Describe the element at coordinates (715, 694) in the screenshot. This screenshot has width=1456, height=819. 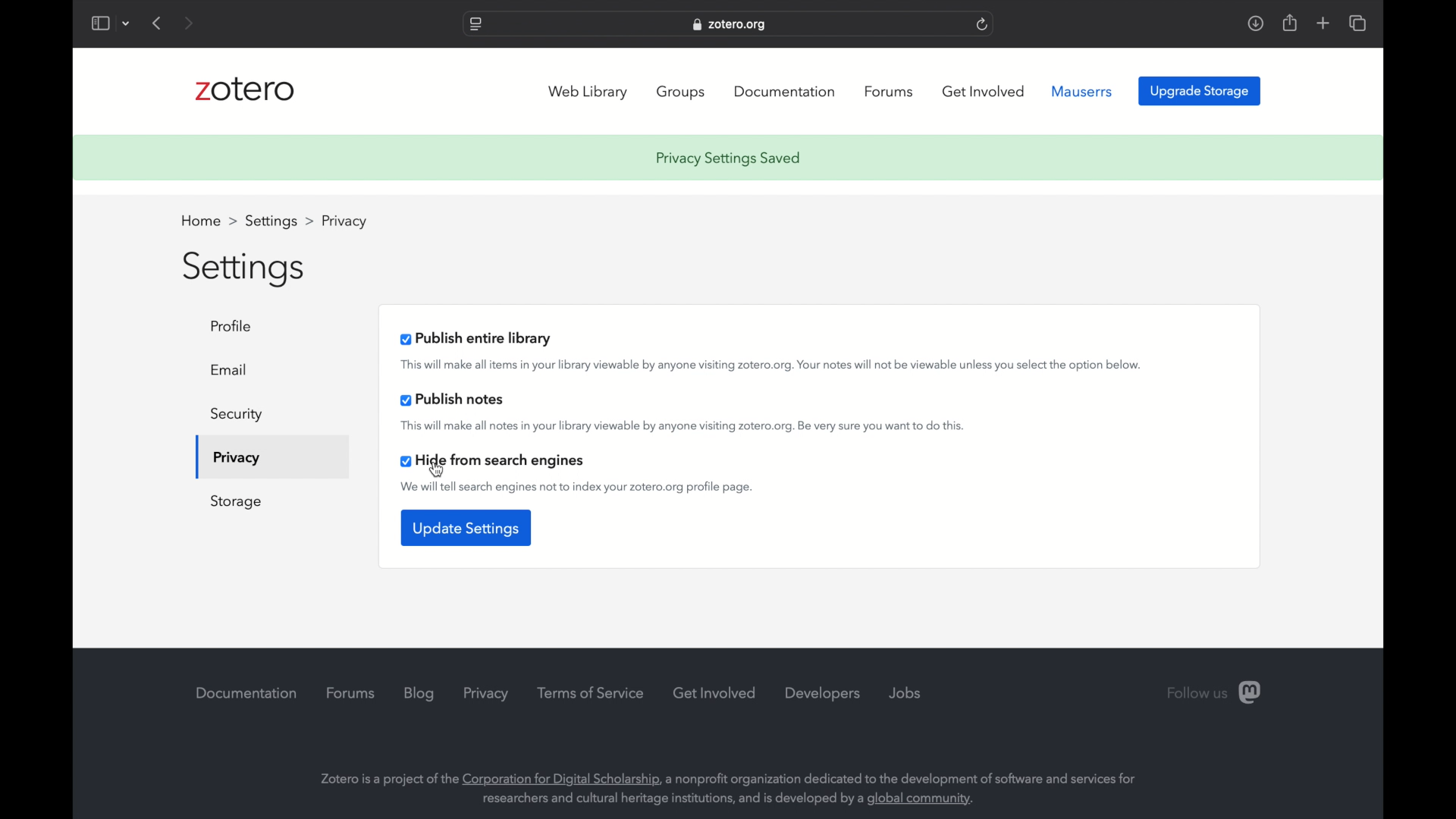
I see `get involved` at that location.